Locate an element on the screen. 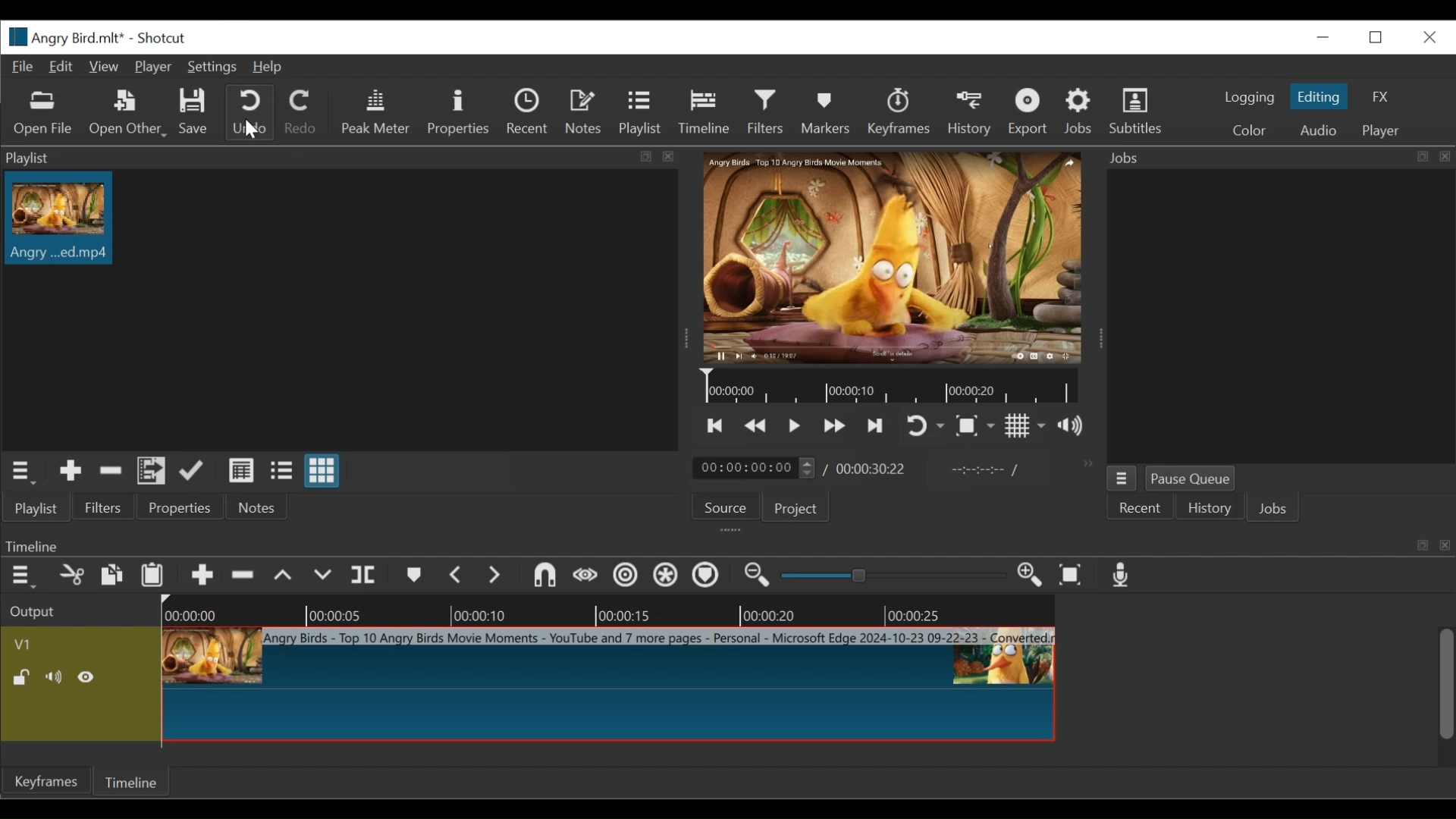 This screenshot has width=1456, height=819. Project is located at coordinates (792, 507).